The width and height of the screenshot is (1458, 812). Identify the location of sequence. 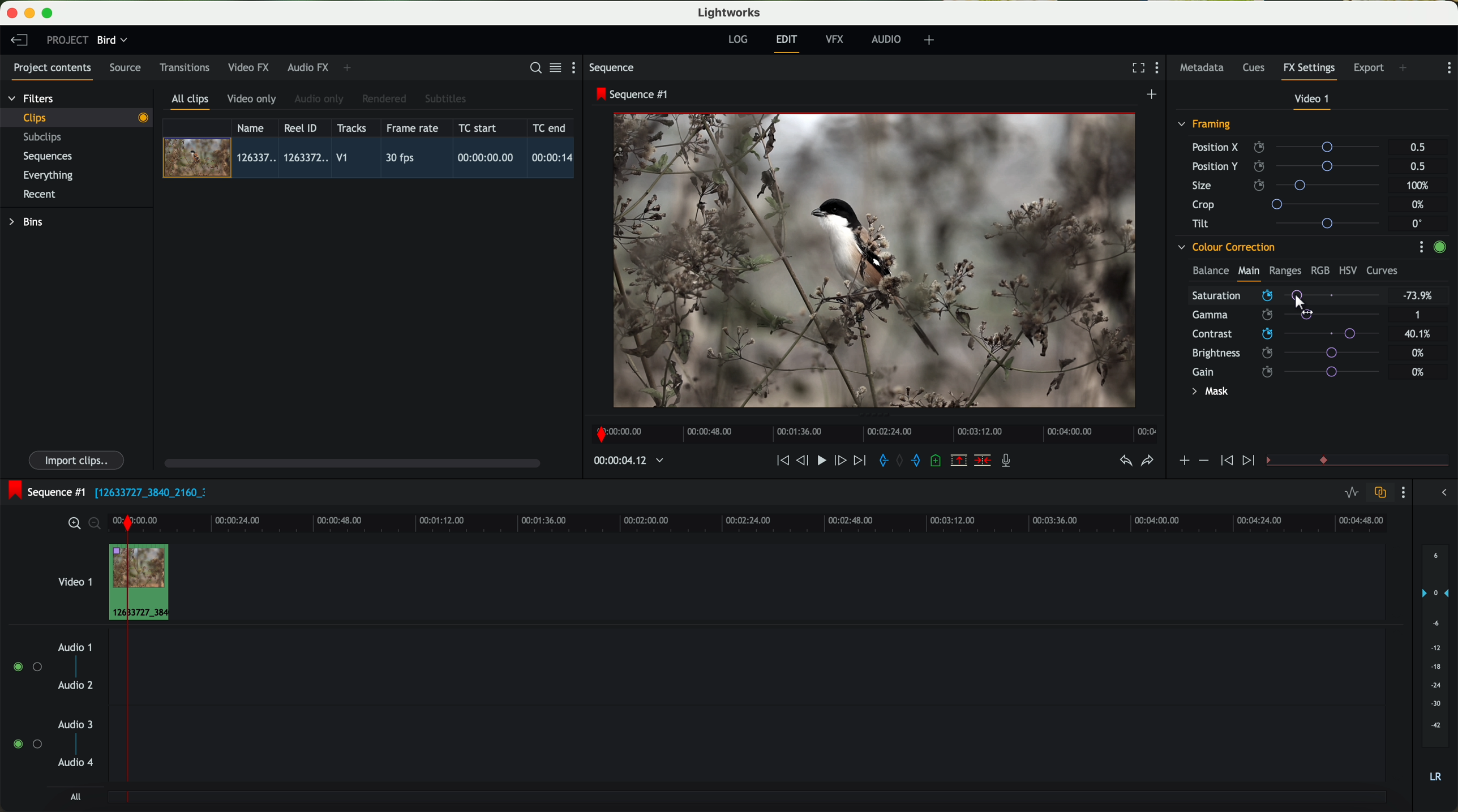
(612, 68).